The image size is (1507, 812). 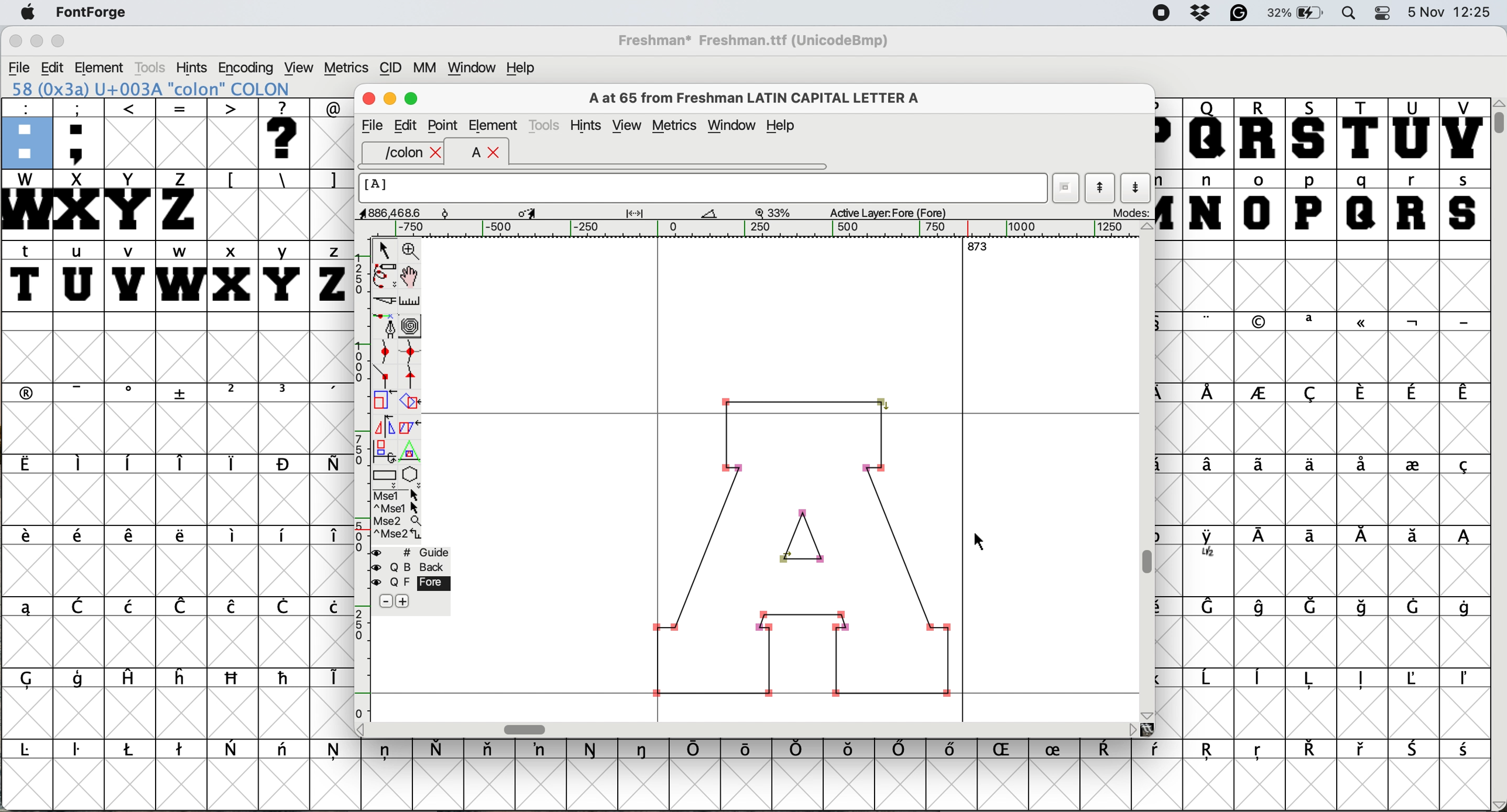 What do you see at coordinates (659, 214) in the screenshot?
I see `glyph details` at bounding box center [659, 214].